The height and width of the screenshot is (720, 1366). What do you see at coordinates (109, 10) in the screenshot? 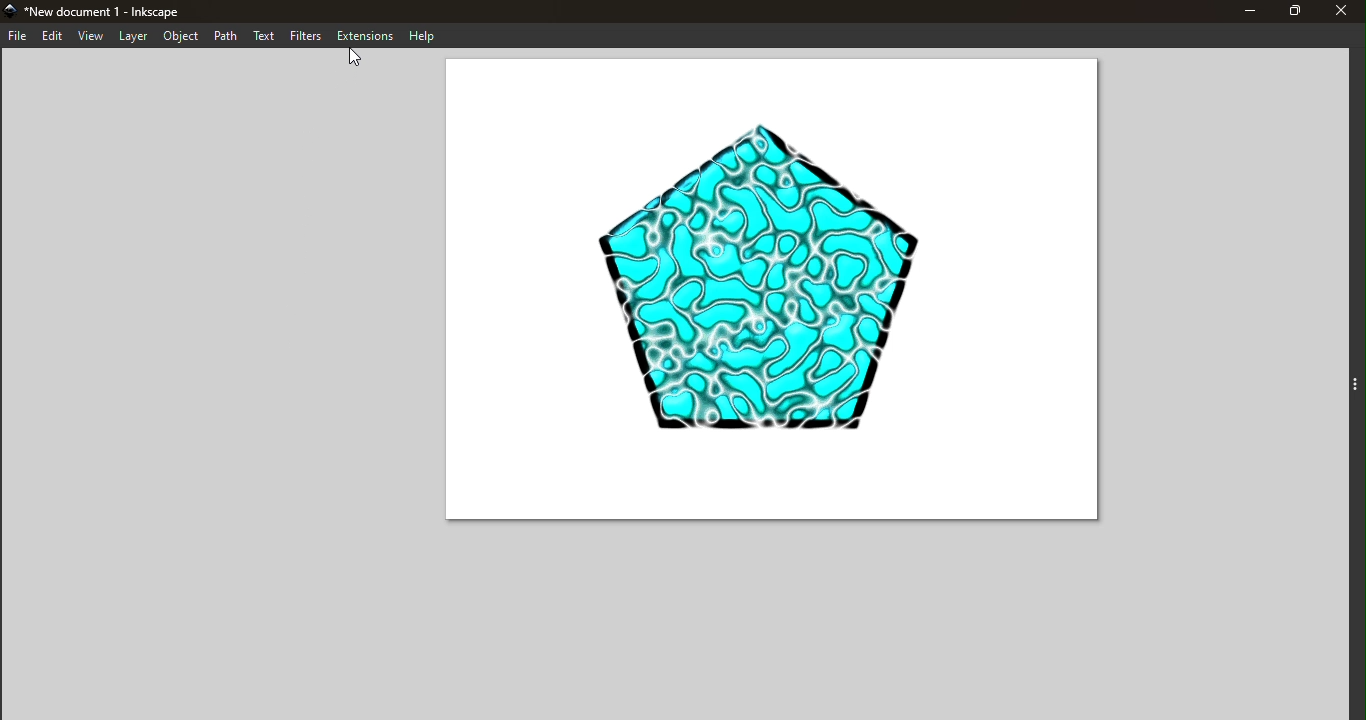
I see `New document 1 - Inkscape` at bounding box center [109, 10].